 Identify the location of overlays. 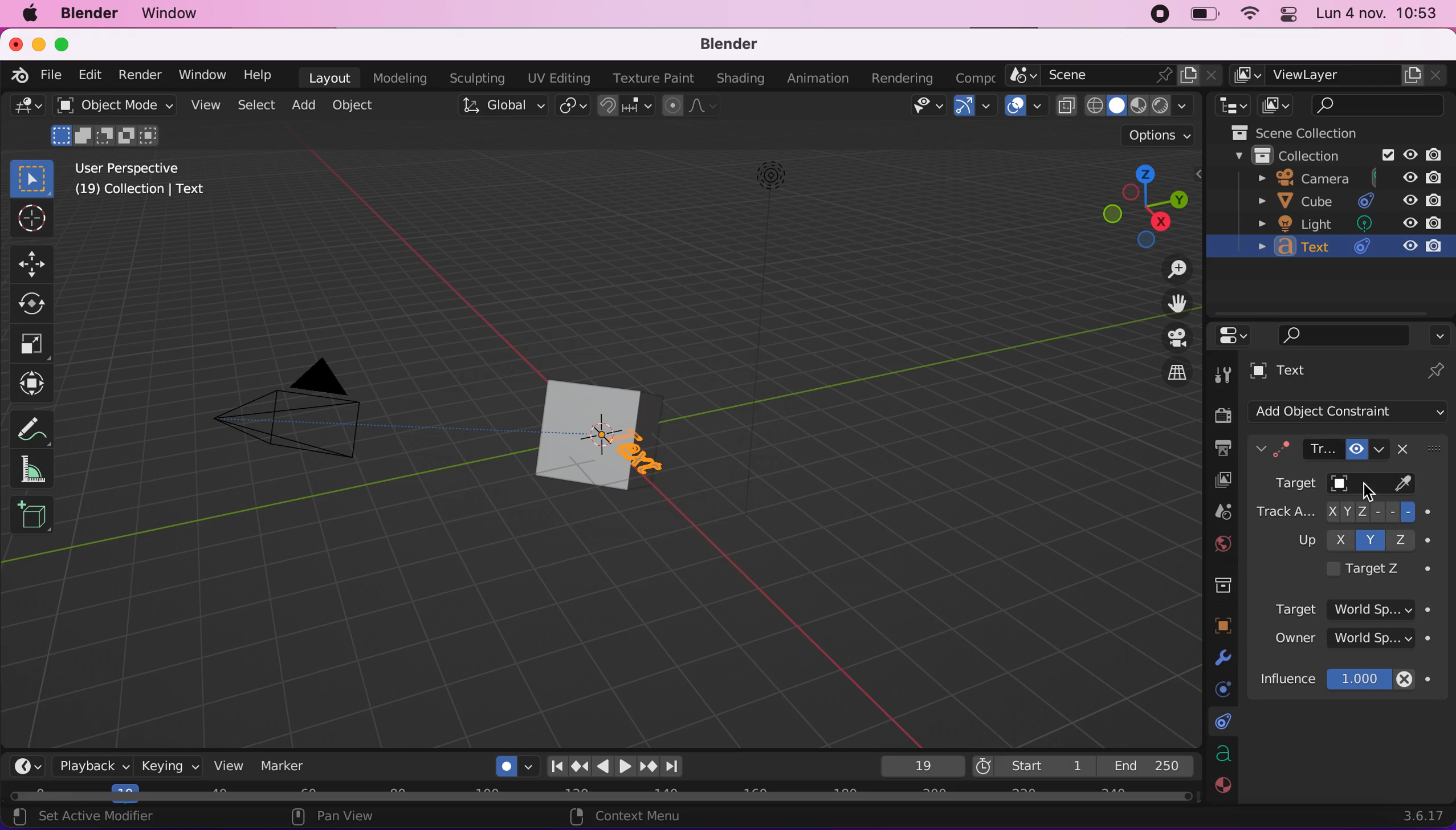
(1023, 105).